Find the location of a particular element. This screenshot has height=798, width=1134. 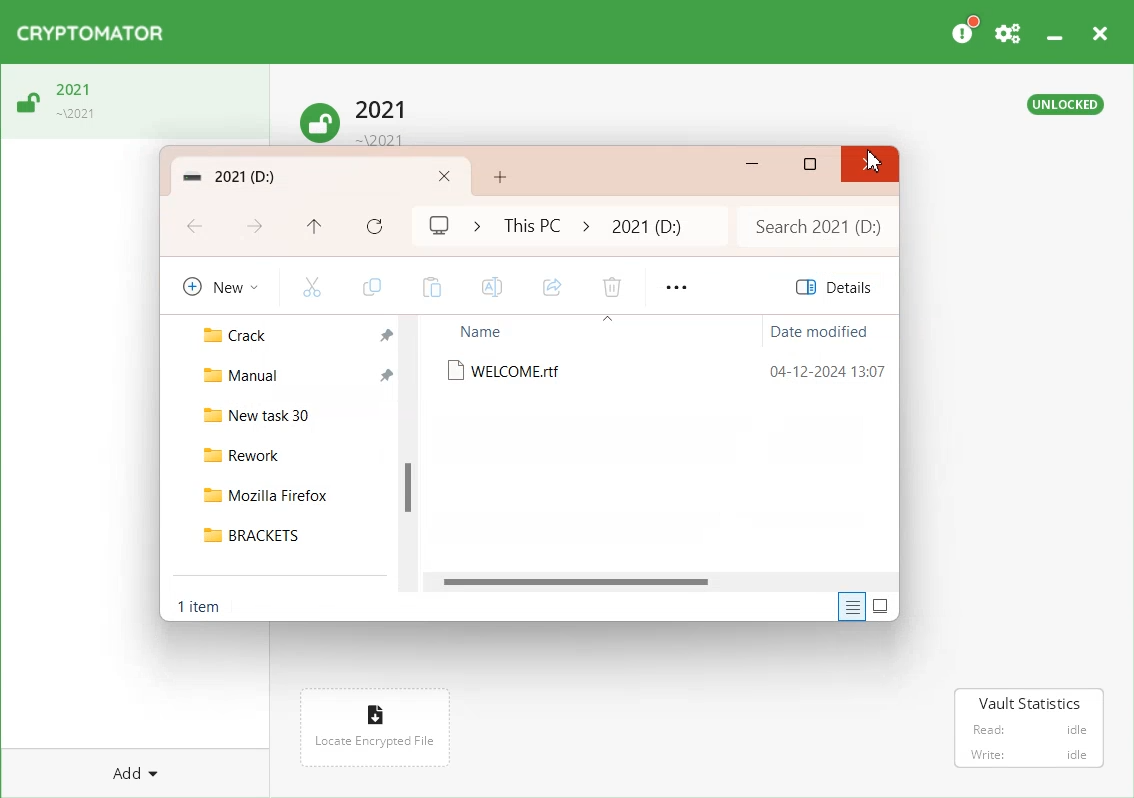

Display information about each item in the window is located at coordinates (851, 607).